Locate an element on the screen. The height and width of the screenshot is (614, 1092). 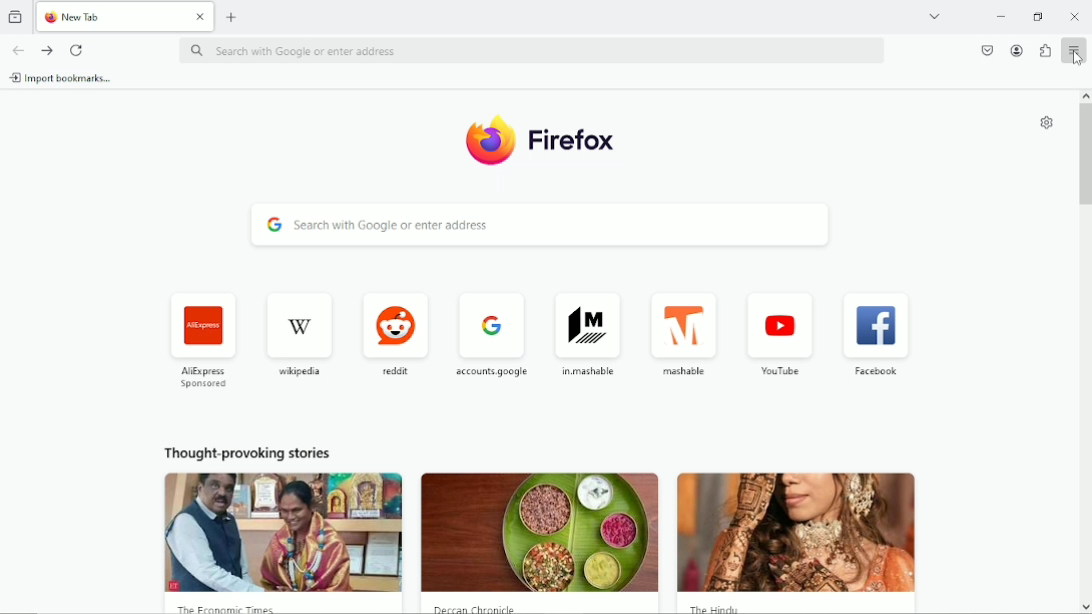
firefox logo is located at coordinates (50, 17).